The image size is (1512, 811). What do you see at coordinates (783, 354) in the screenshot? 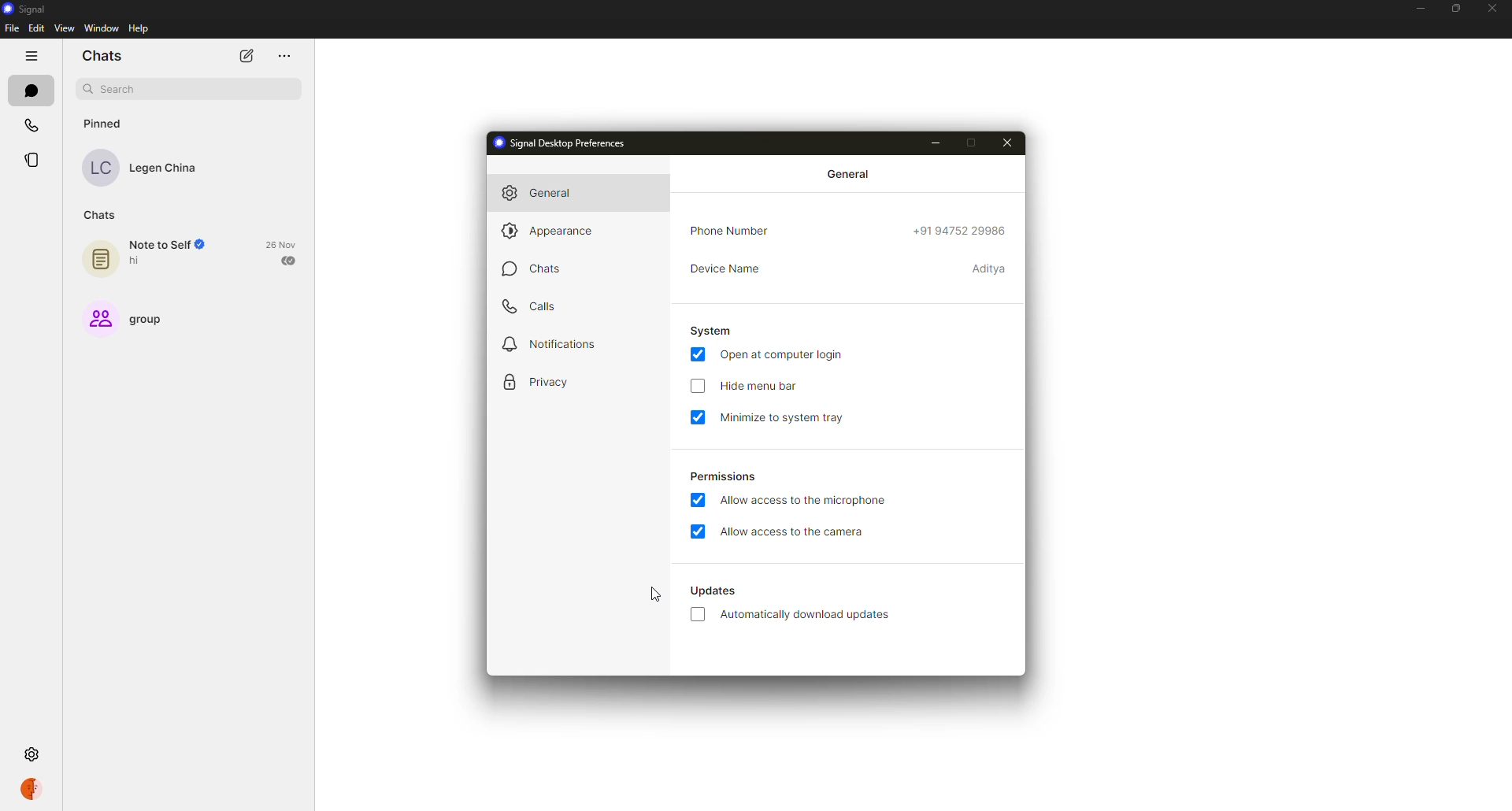
I see `open at computer login` at bounding box center [783, 354].